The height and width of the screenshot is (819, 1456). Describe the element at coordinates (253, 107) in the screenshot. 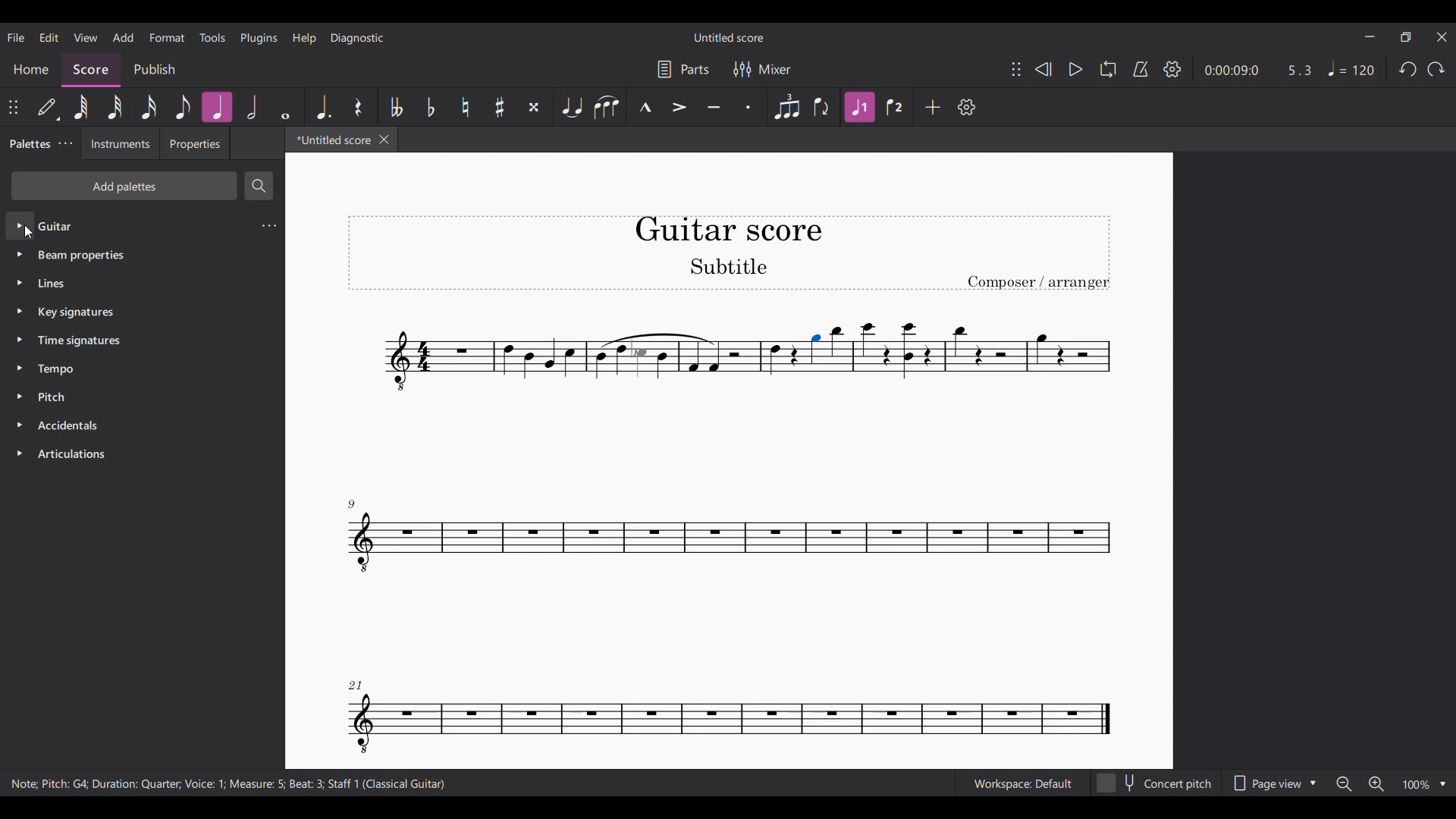

I see `Half note` at that location.